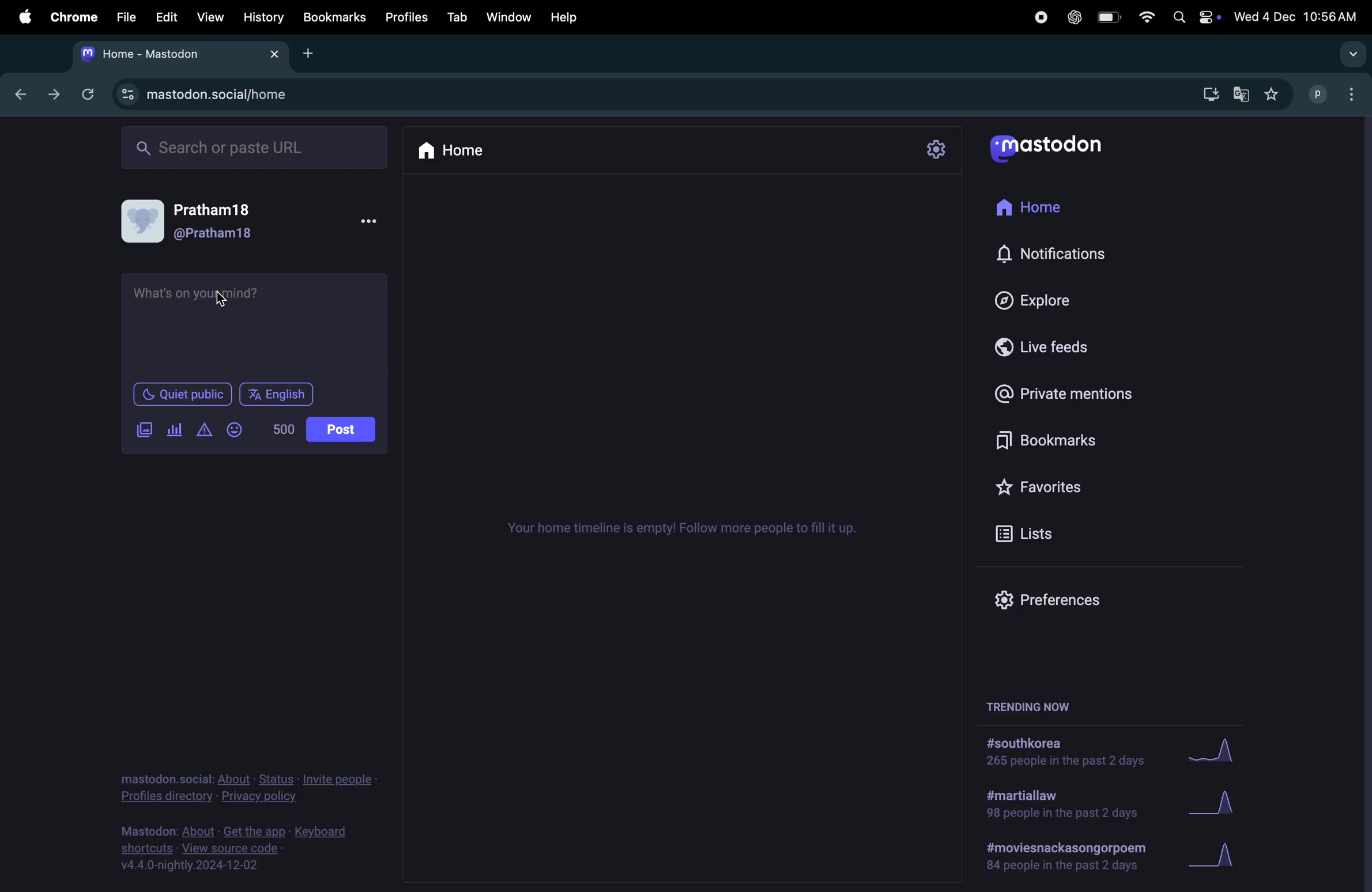 This screenshot has height=892, width=1372. Describe the element at coordinates (1046, 533) in the screenshot. I see `Lists` at that location.